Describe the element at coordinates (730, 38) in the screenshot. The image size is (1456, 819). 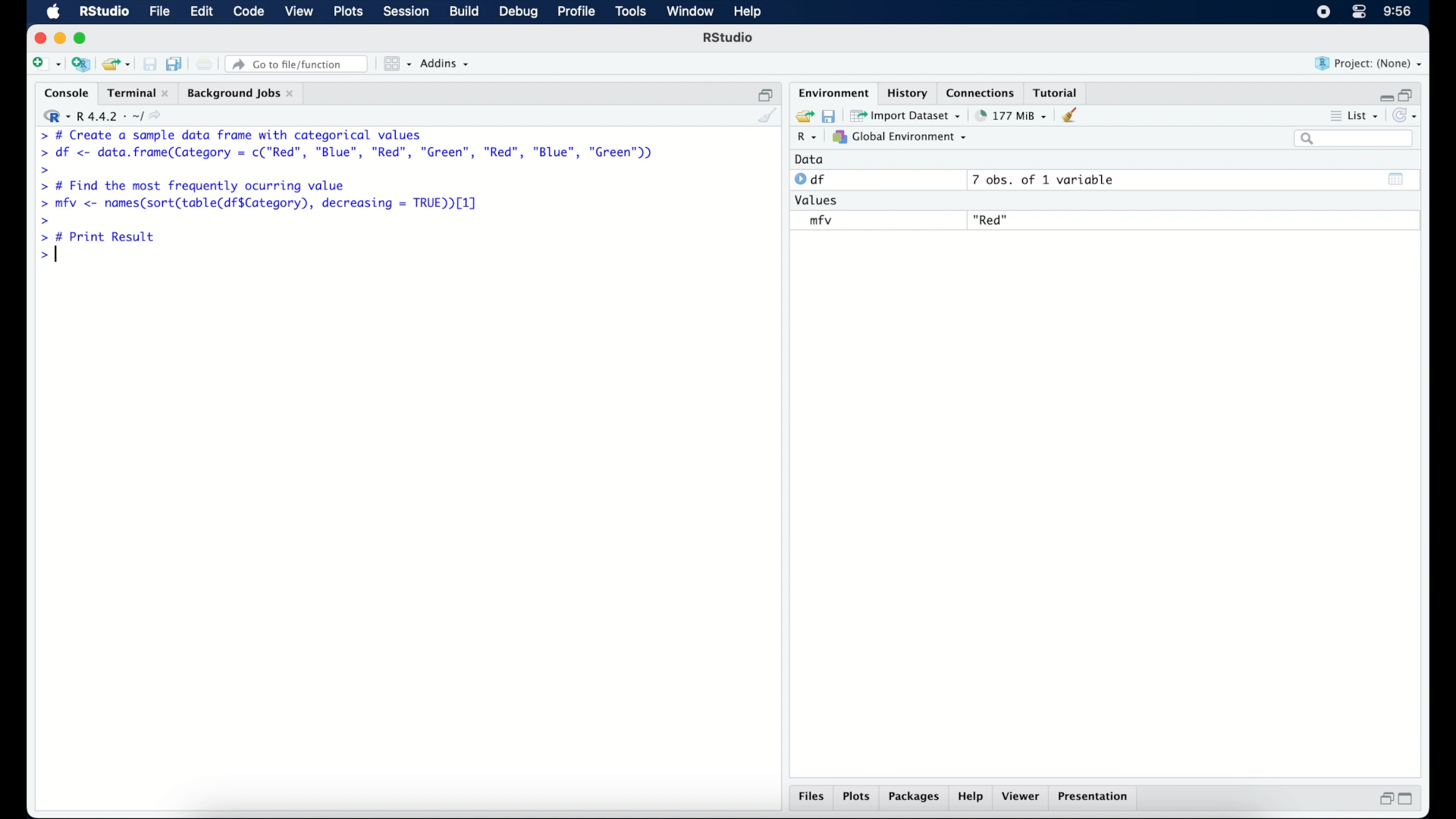
I see `R Studio` at that location.